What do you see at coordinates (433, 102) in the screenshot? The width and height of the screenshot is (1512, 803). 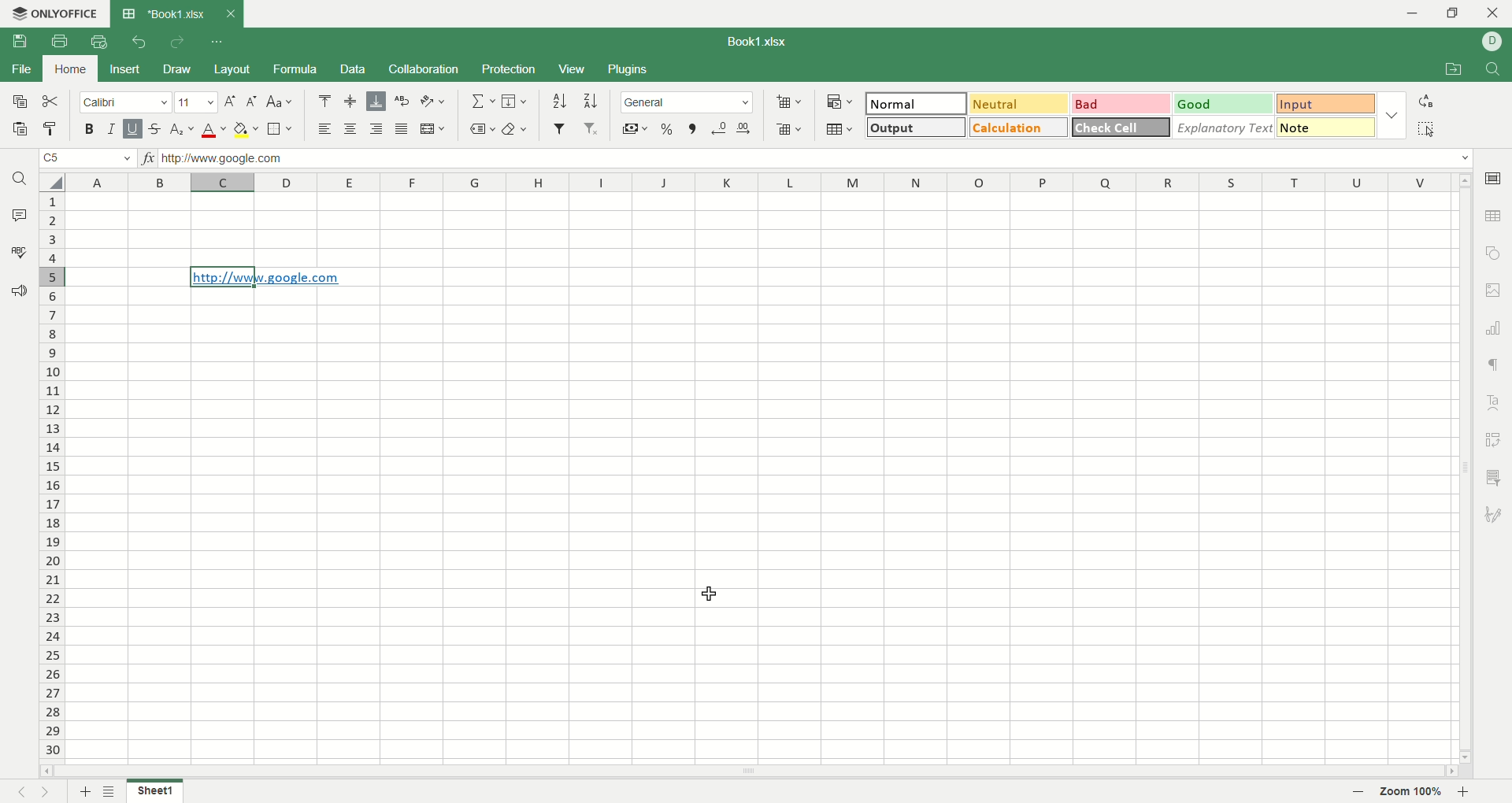 I see `orientation` at bounding box center [433, 102].